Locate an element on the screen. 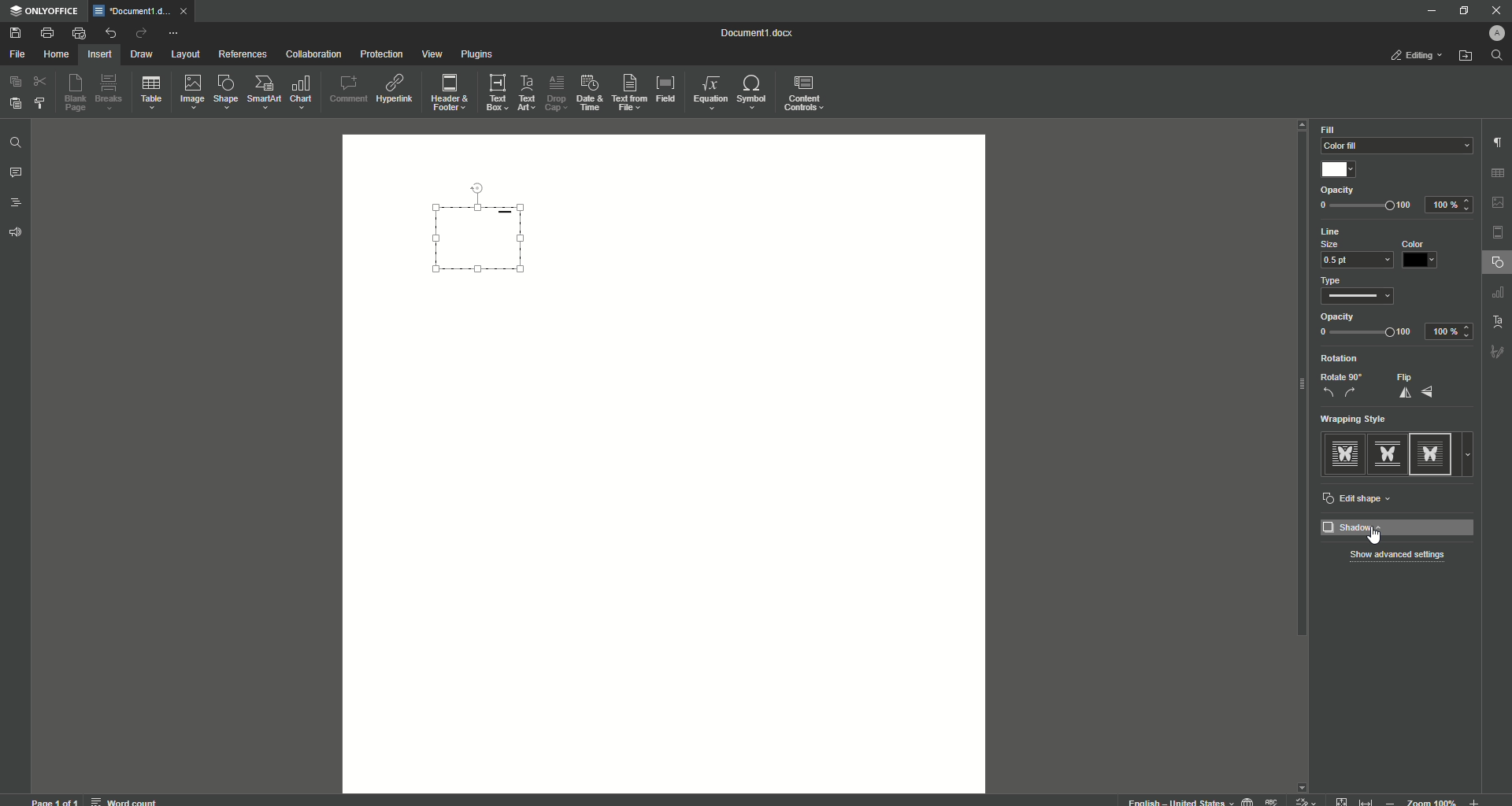 Image resolution: width=1512 pixels, height=806 pixels. White Box is located at coordinates (1340, 169).